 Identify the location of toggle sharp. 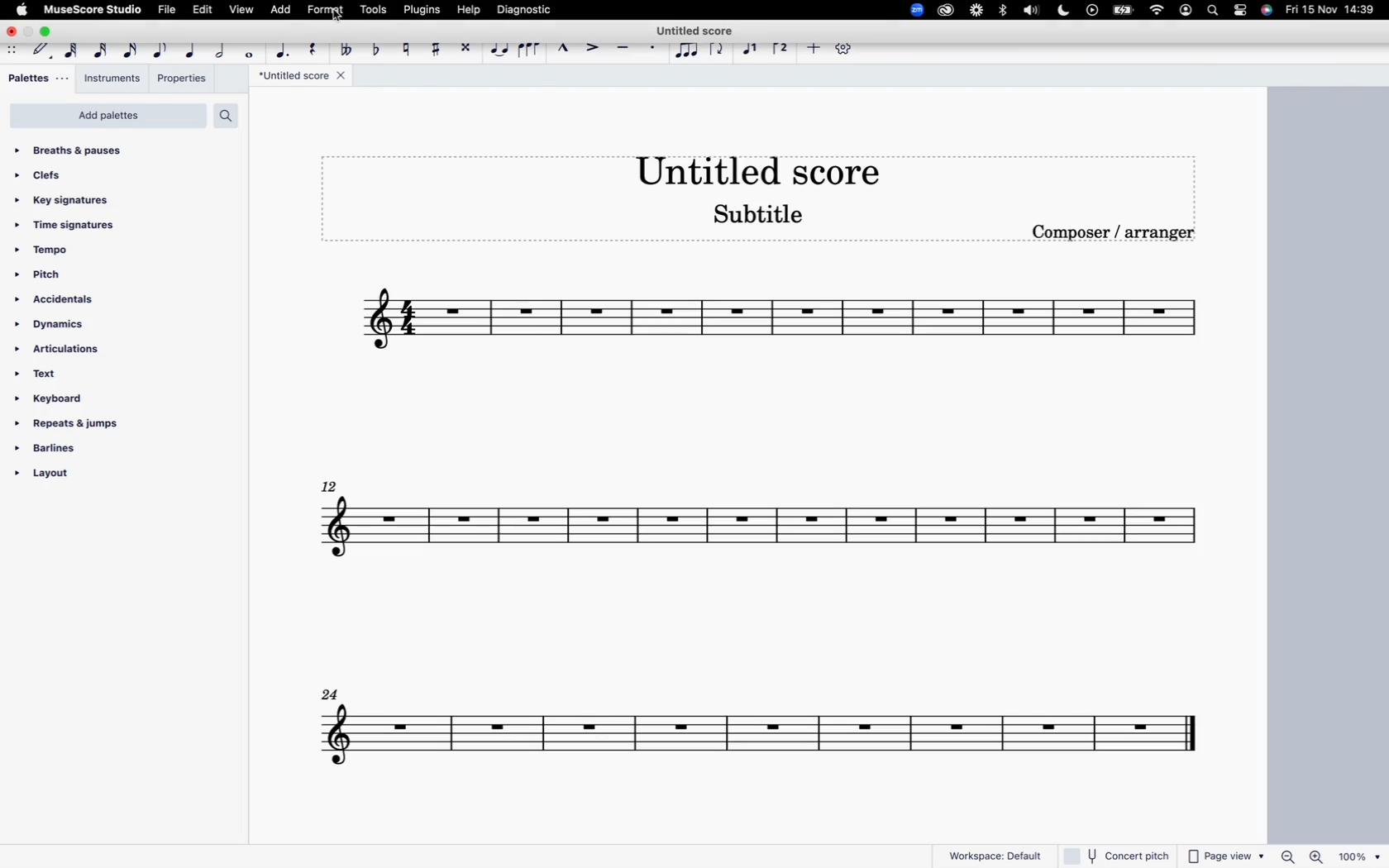
(437, 51).